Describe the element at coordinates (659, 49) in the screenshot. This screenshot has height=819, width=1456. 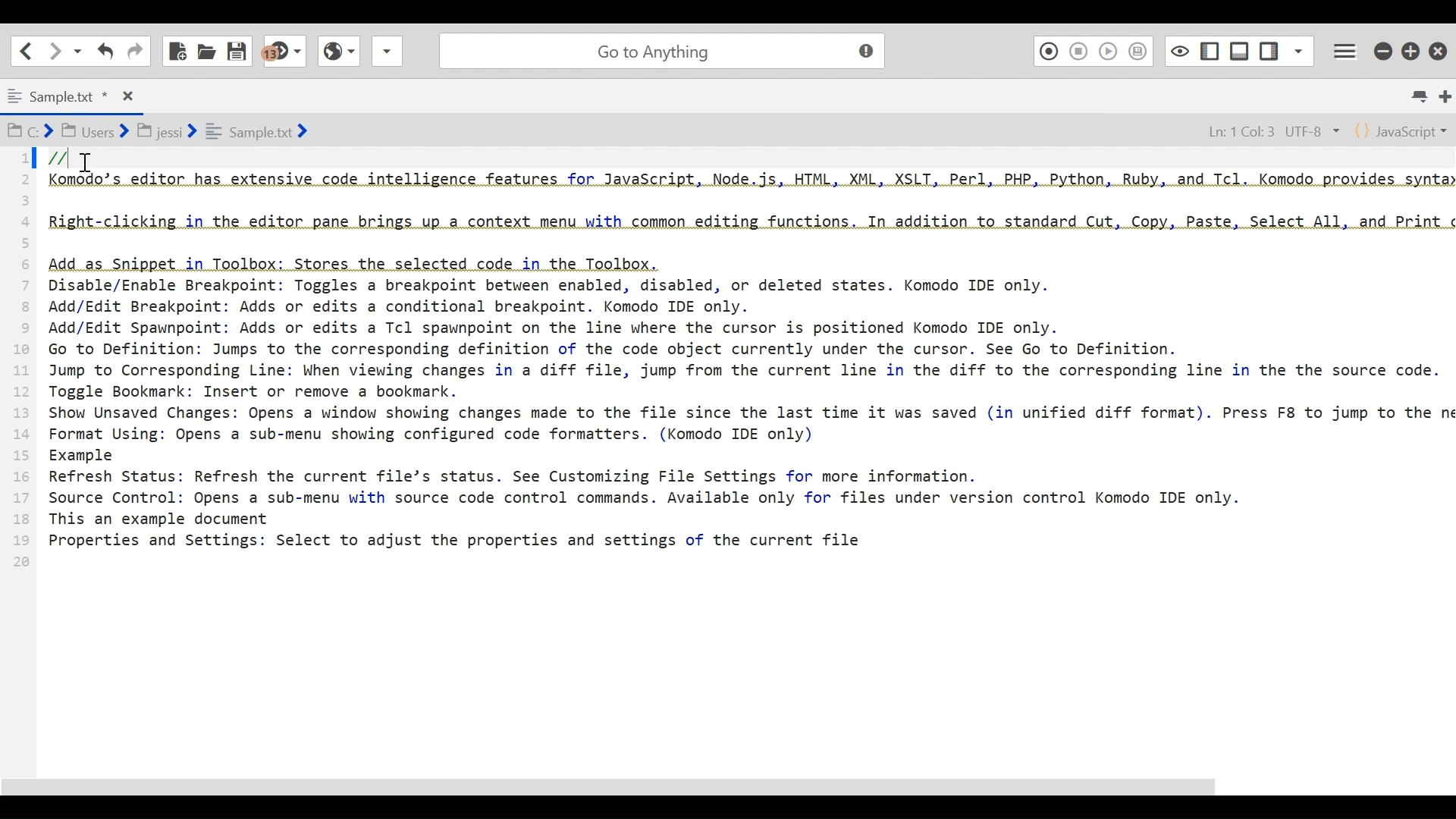
I see `Search` at that location.